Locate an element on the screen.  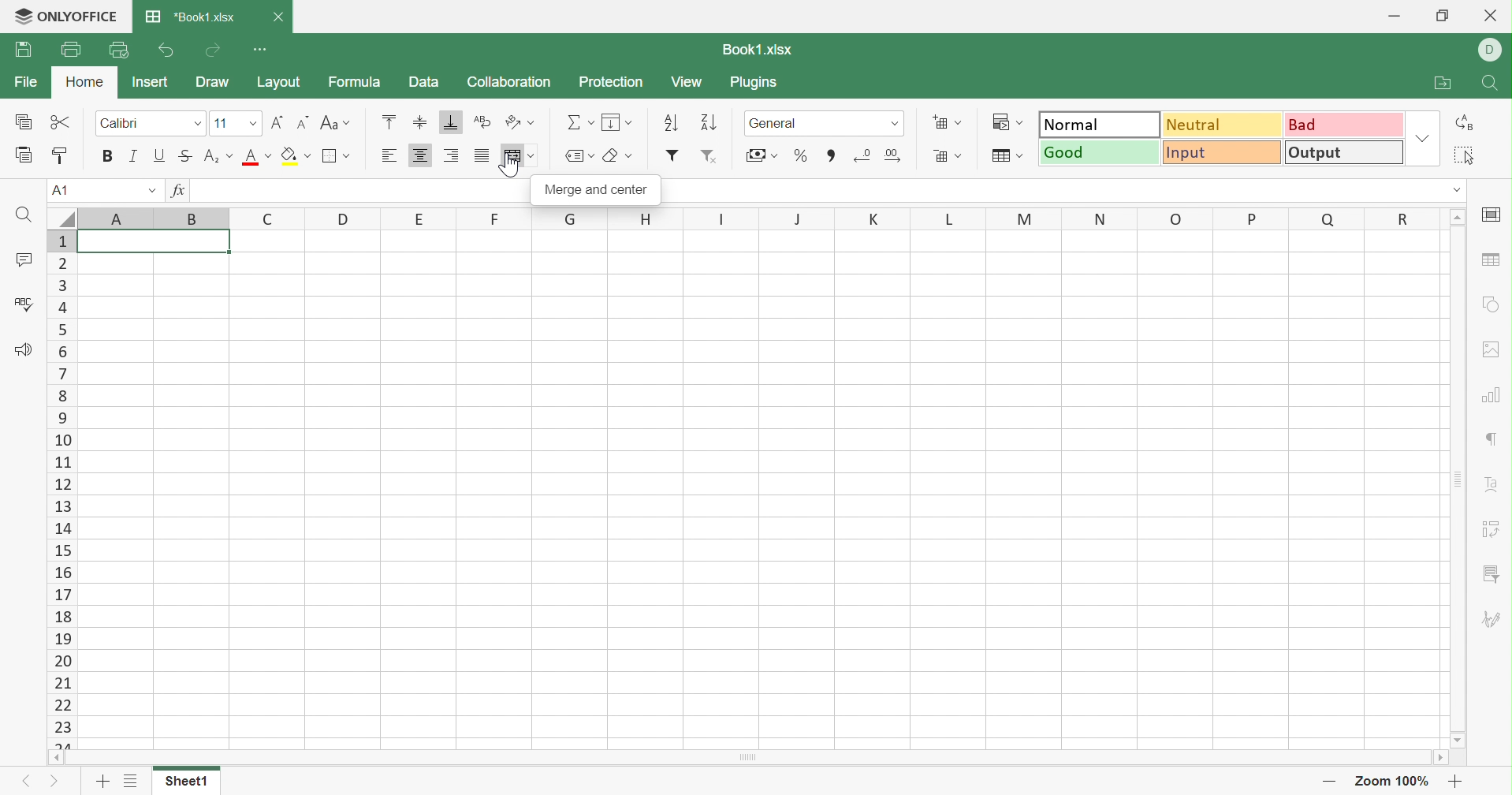
Column Names is located at coordinates (745, 218).